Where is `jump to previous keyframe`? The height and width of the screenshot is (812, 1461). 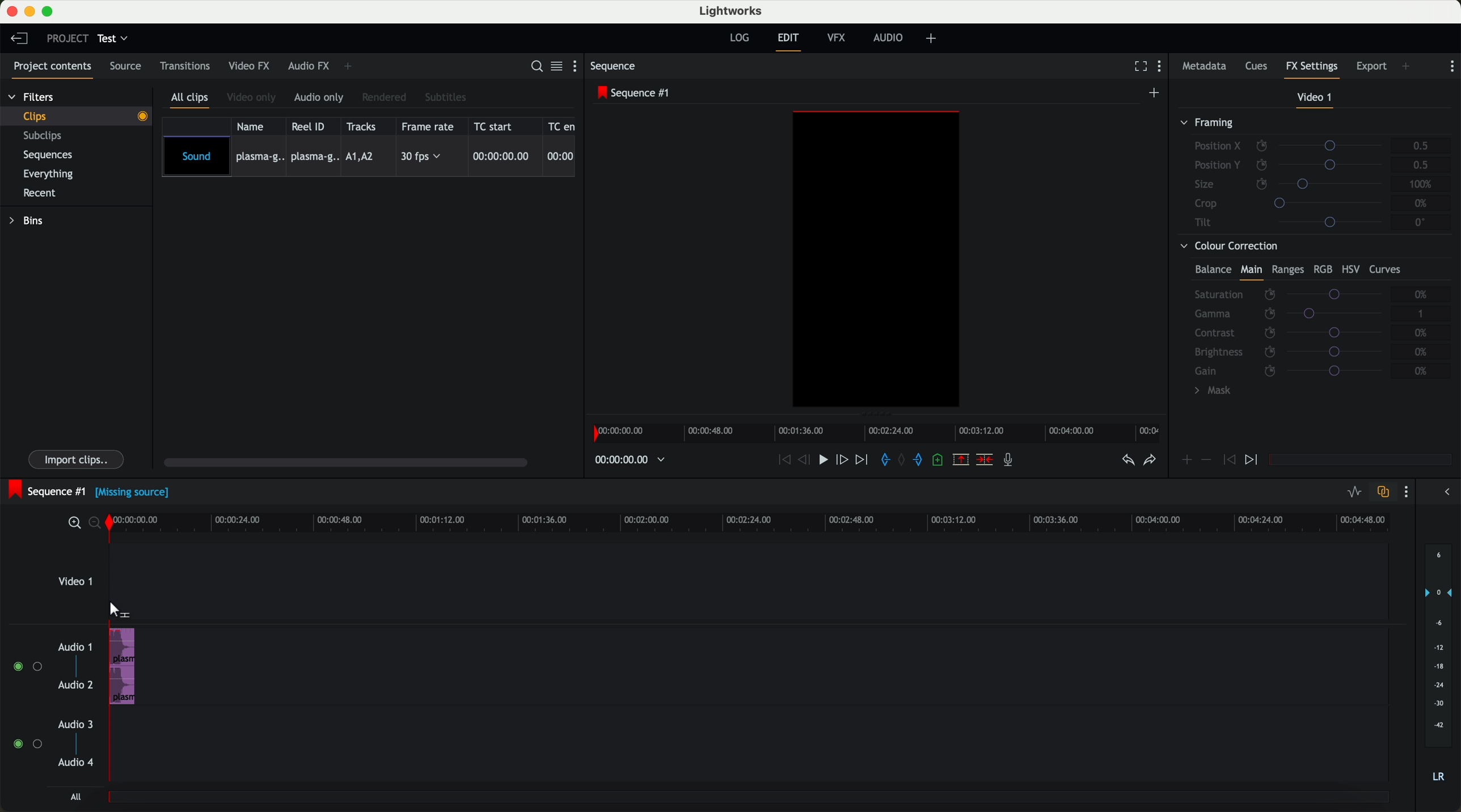
jump to previous keyframe is located at coordinates (1230, 463).